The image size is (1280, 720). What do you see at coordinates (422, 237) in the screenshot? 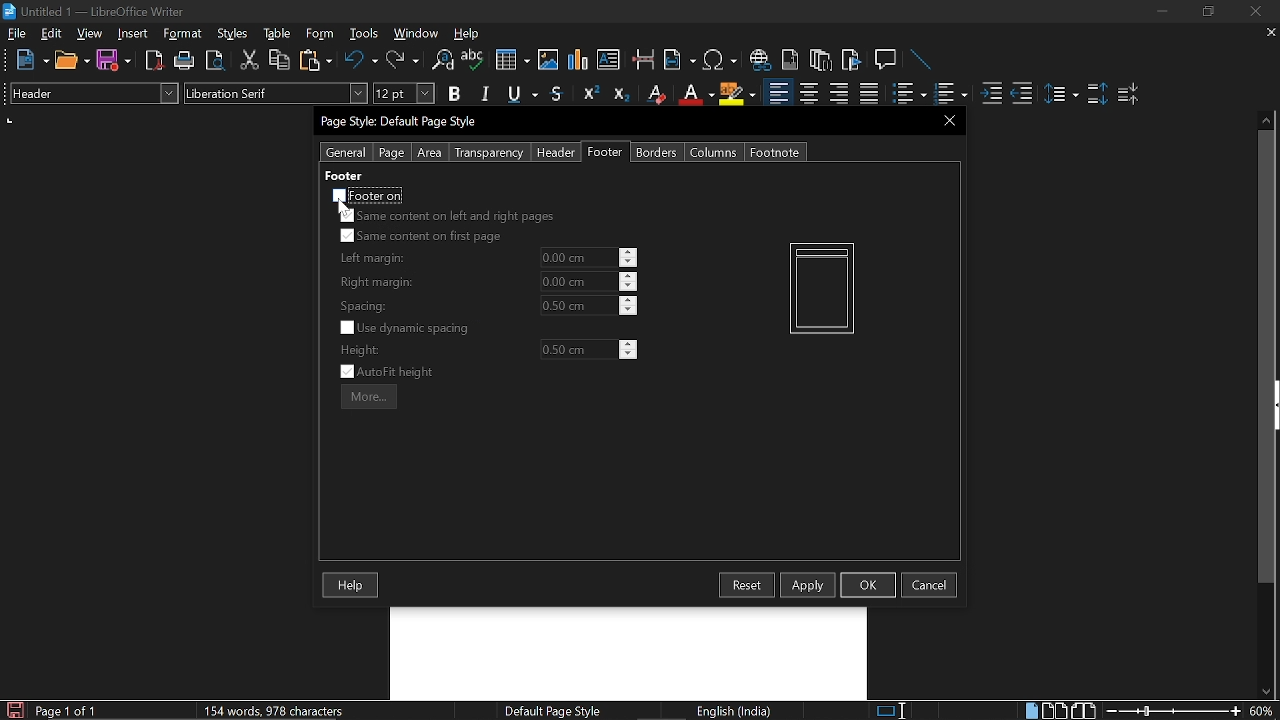
I see `Same content on first page` at bounding box center [422, 237].